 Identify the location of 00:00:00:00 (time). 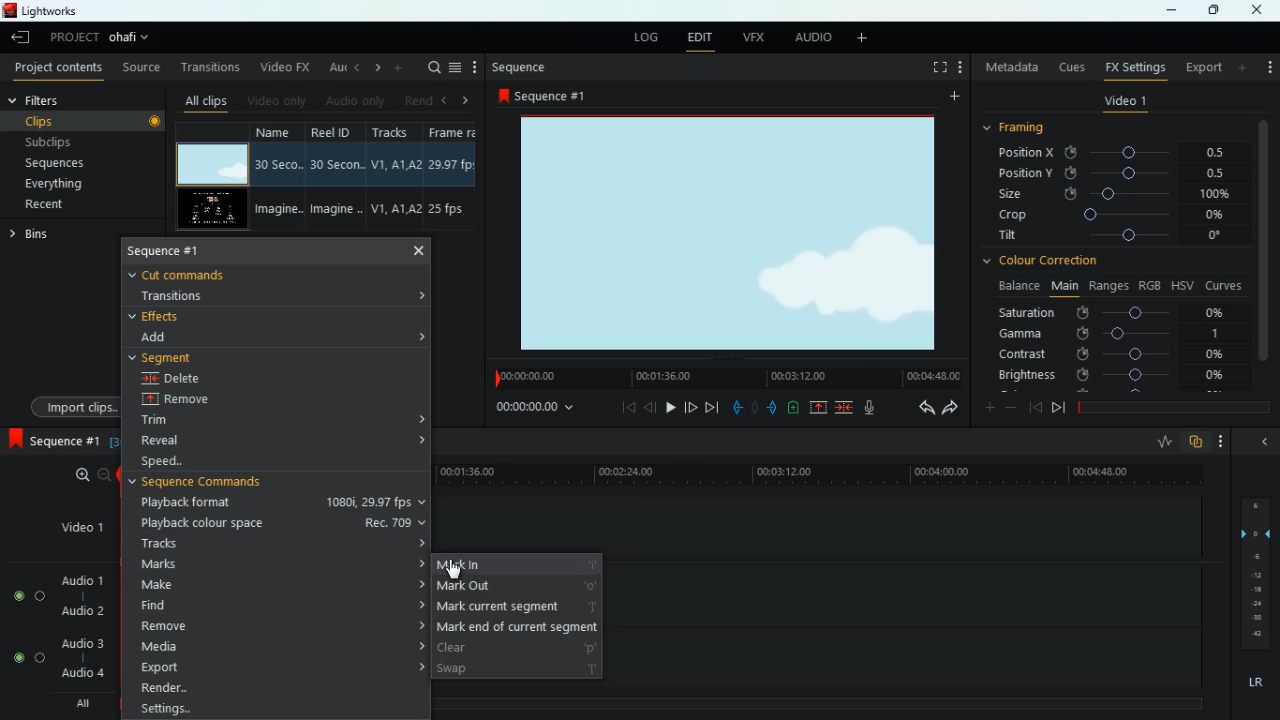
(518, 408).